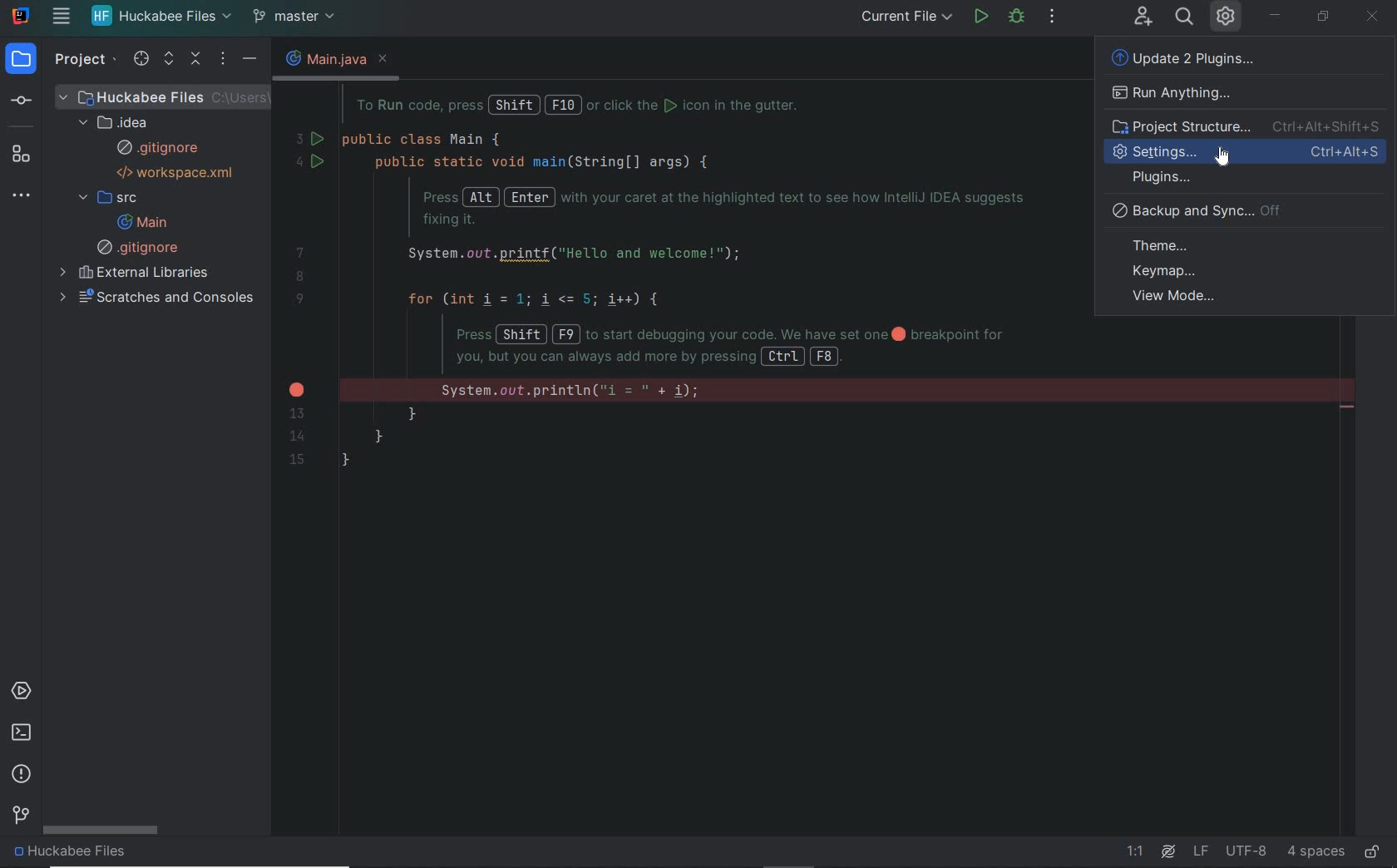 This screenshot has height=868, width=1397. What do you see at coordinates (906, 17) in the screenshot?
I see `current file` at bounding box center [906, 17].